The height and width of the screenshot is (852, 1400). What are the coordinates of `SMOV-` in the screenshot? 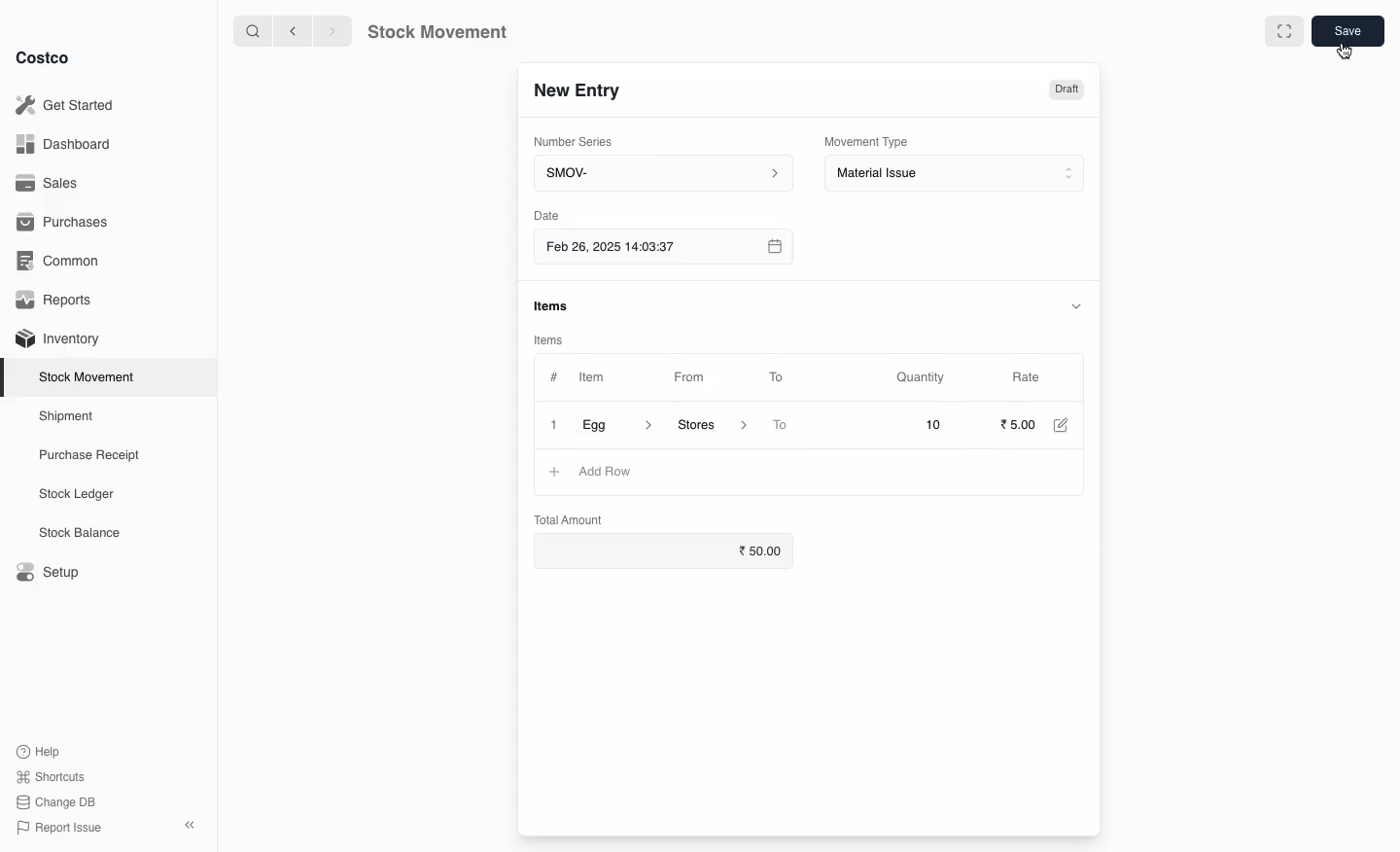 It's located at (663, 172).